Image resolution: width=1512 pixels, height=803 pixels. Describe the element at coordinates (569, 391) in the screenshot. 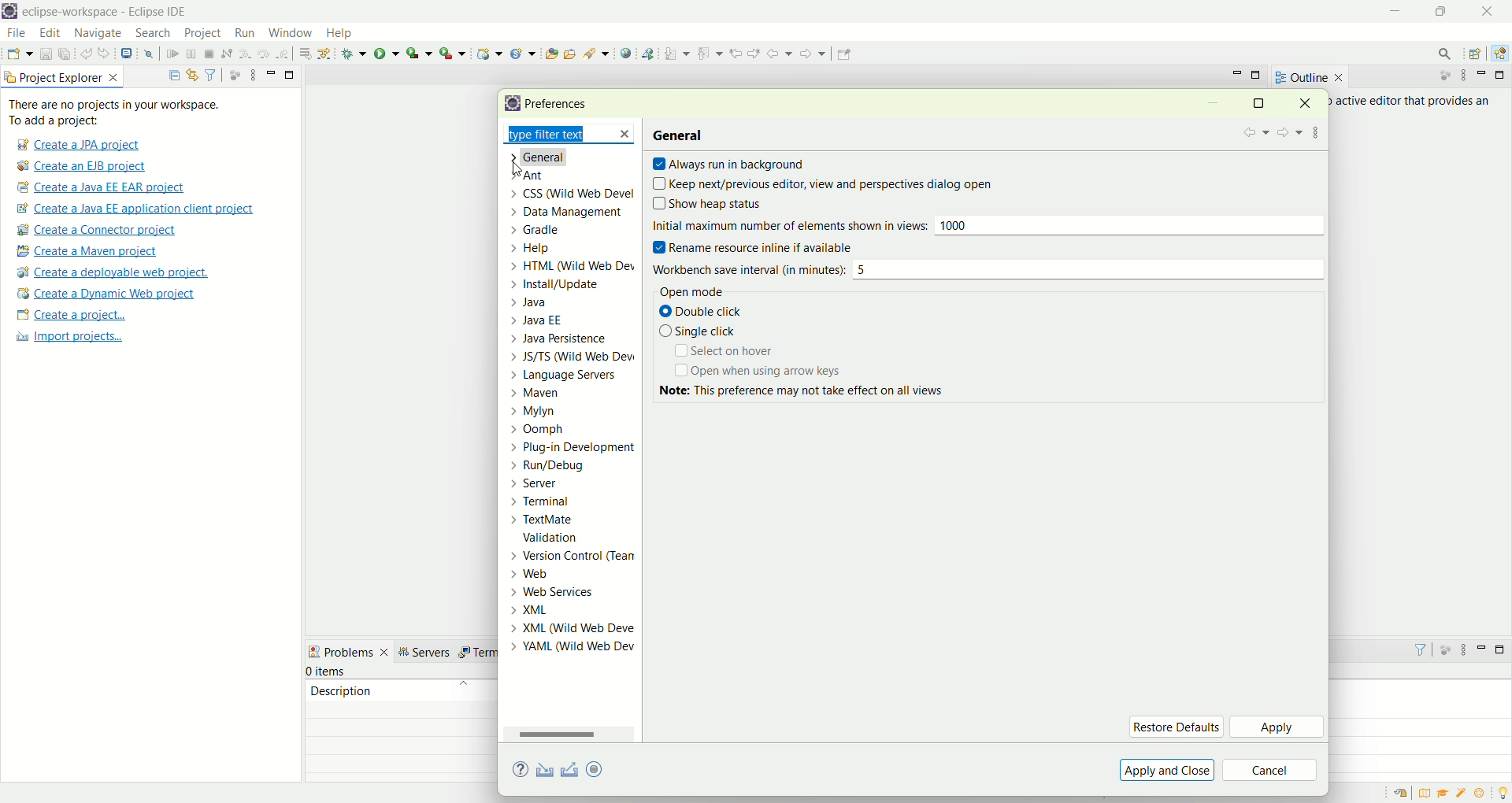

I see `maven` at that location.